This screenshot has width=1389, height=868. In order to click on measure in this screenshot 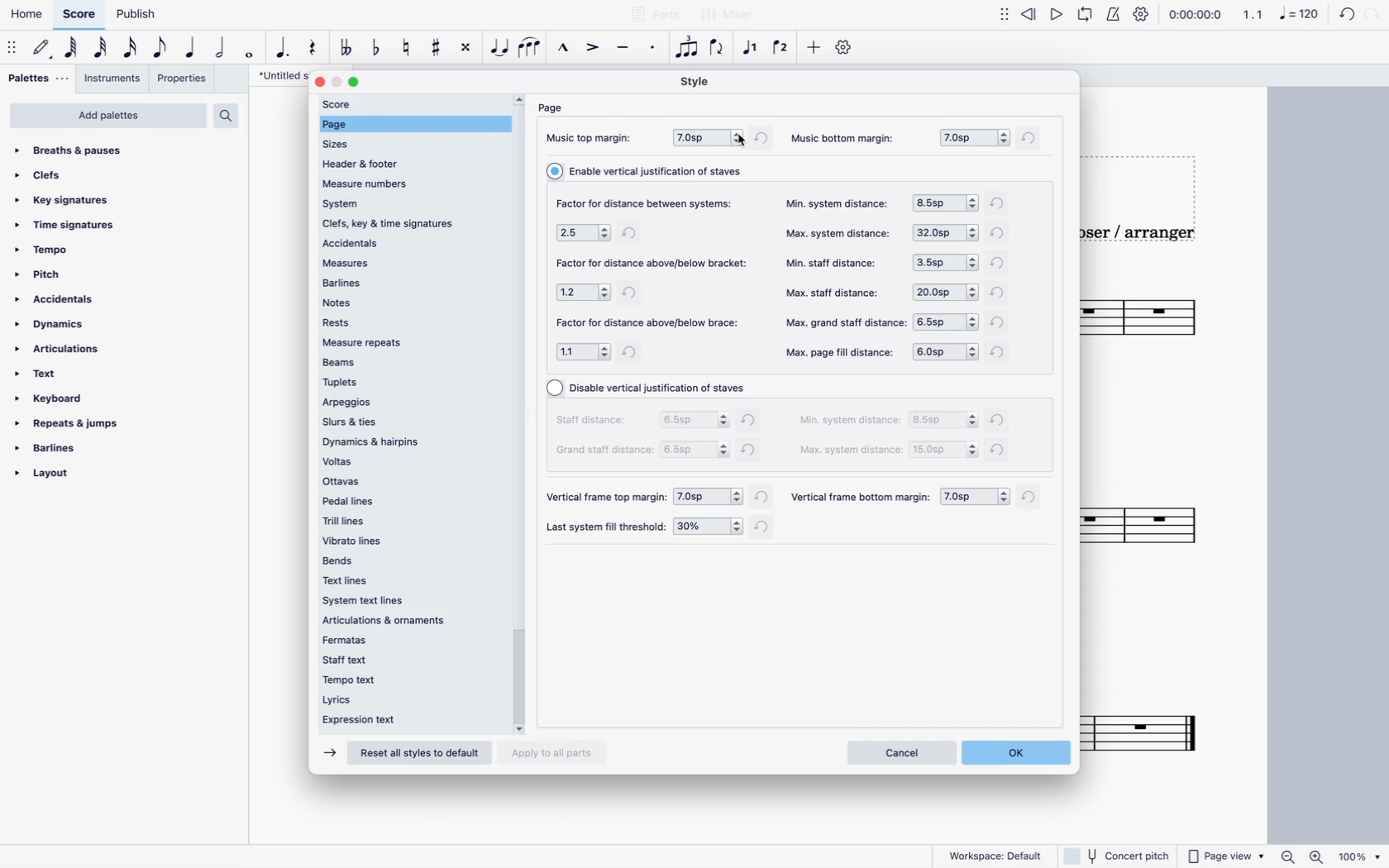, I will do `click(413, 260)`.